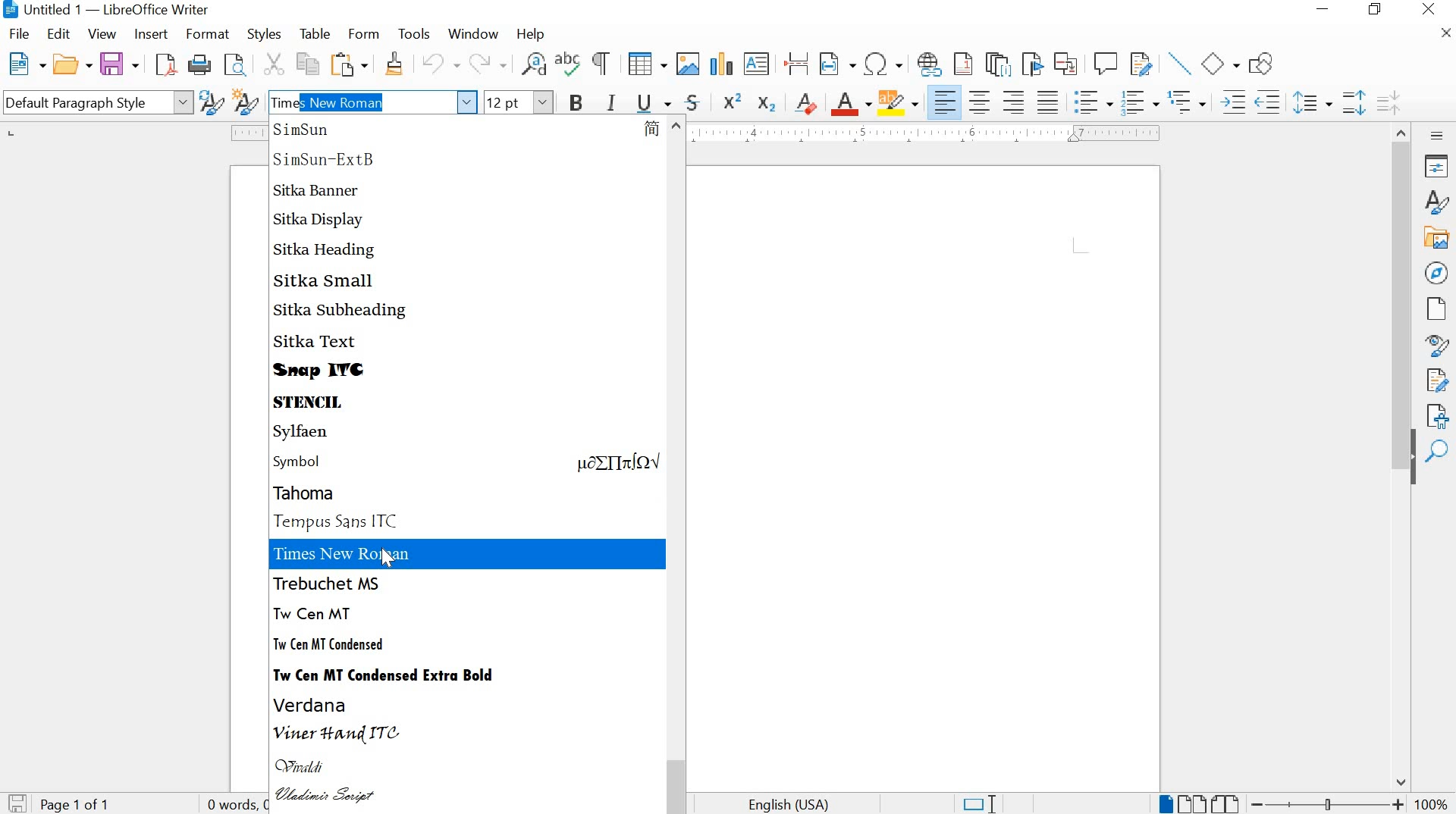 The image size is (1456, 814). What do you see at coordinates (363, 34) in the screenshot?
I see `FORM` at bounding box center [363, 34].